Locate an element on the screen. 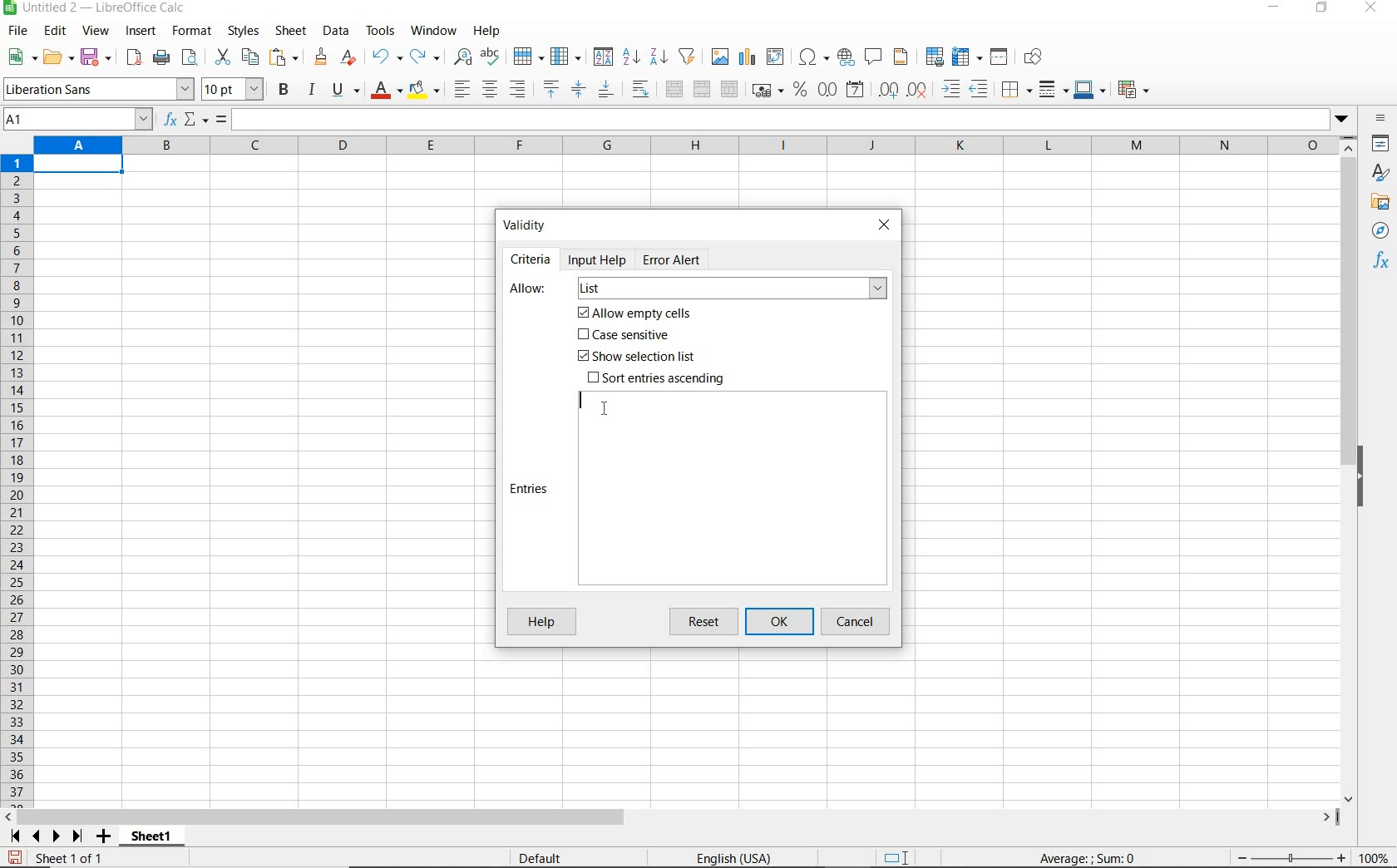  sheet1 is located at coordinates (151, 839).